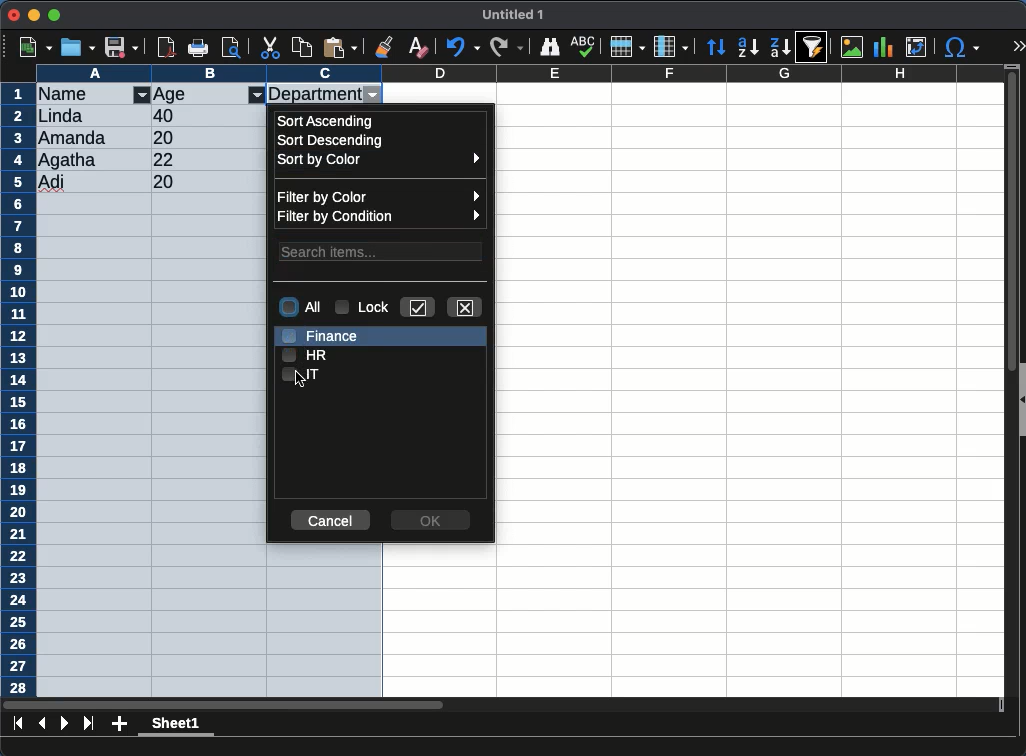 This screenshot has height=756, width=1026. I want to click on clear formatting, so click(418, 46).